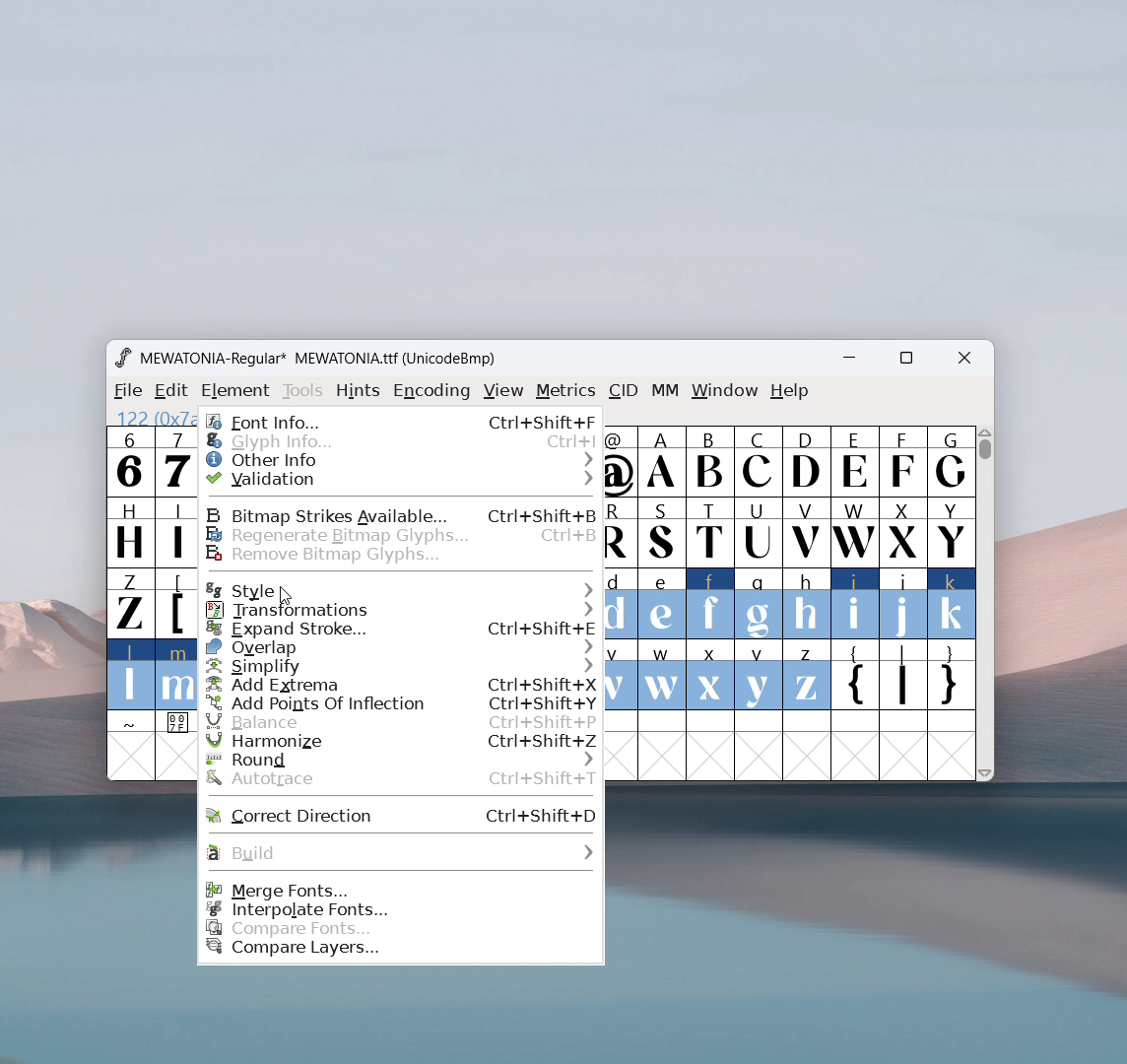 The image size is (1127, 1064). What do you see at coordinates (854, 461) in the screenshot?
I see `E` at bounding box center [854, 461].